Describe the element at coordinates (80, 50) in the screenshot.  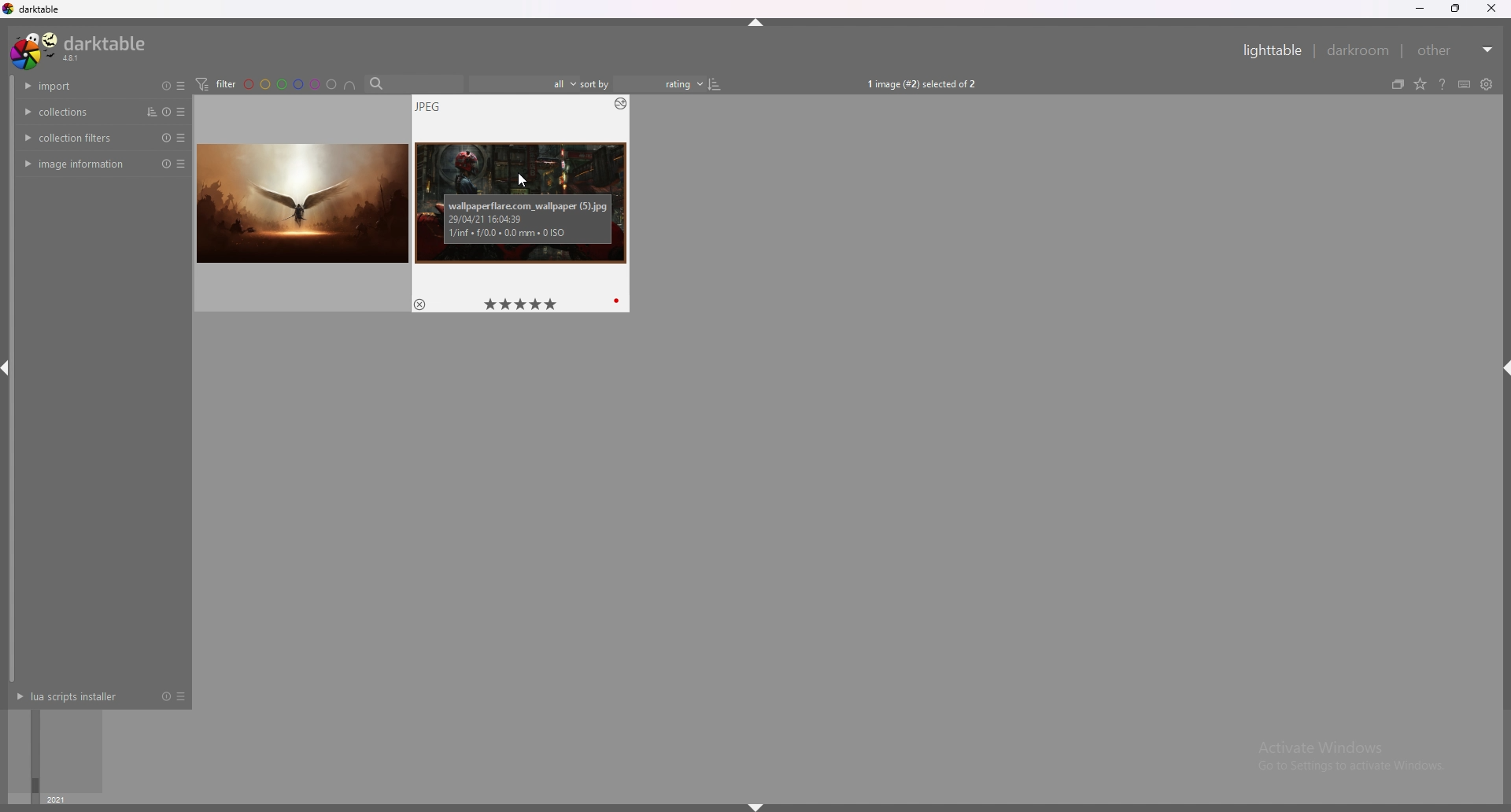
I see `darktable 4.8.1` at that location.